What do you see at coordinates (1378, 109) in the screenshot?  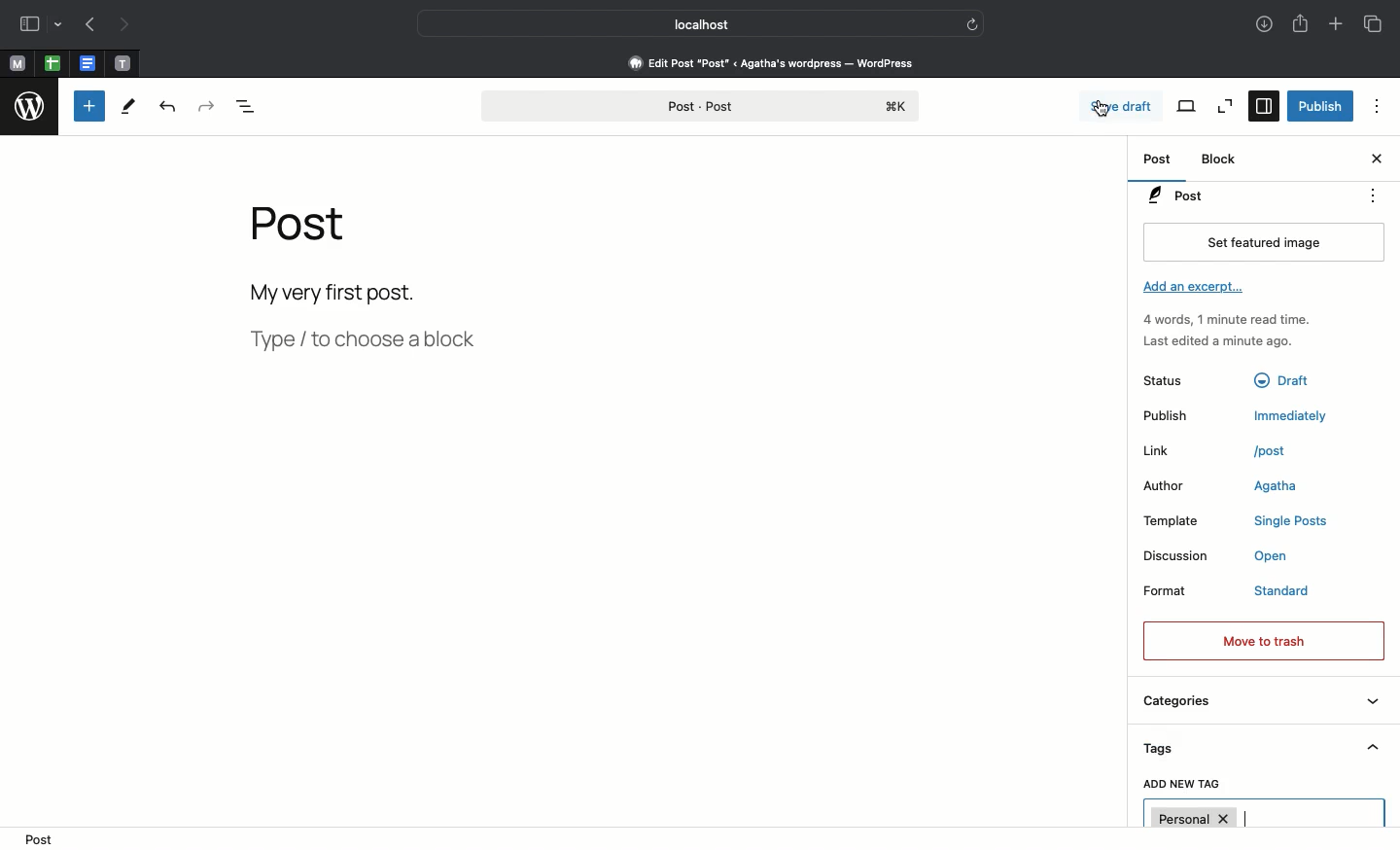 I see `Options` at bounding box center [1378, 109].